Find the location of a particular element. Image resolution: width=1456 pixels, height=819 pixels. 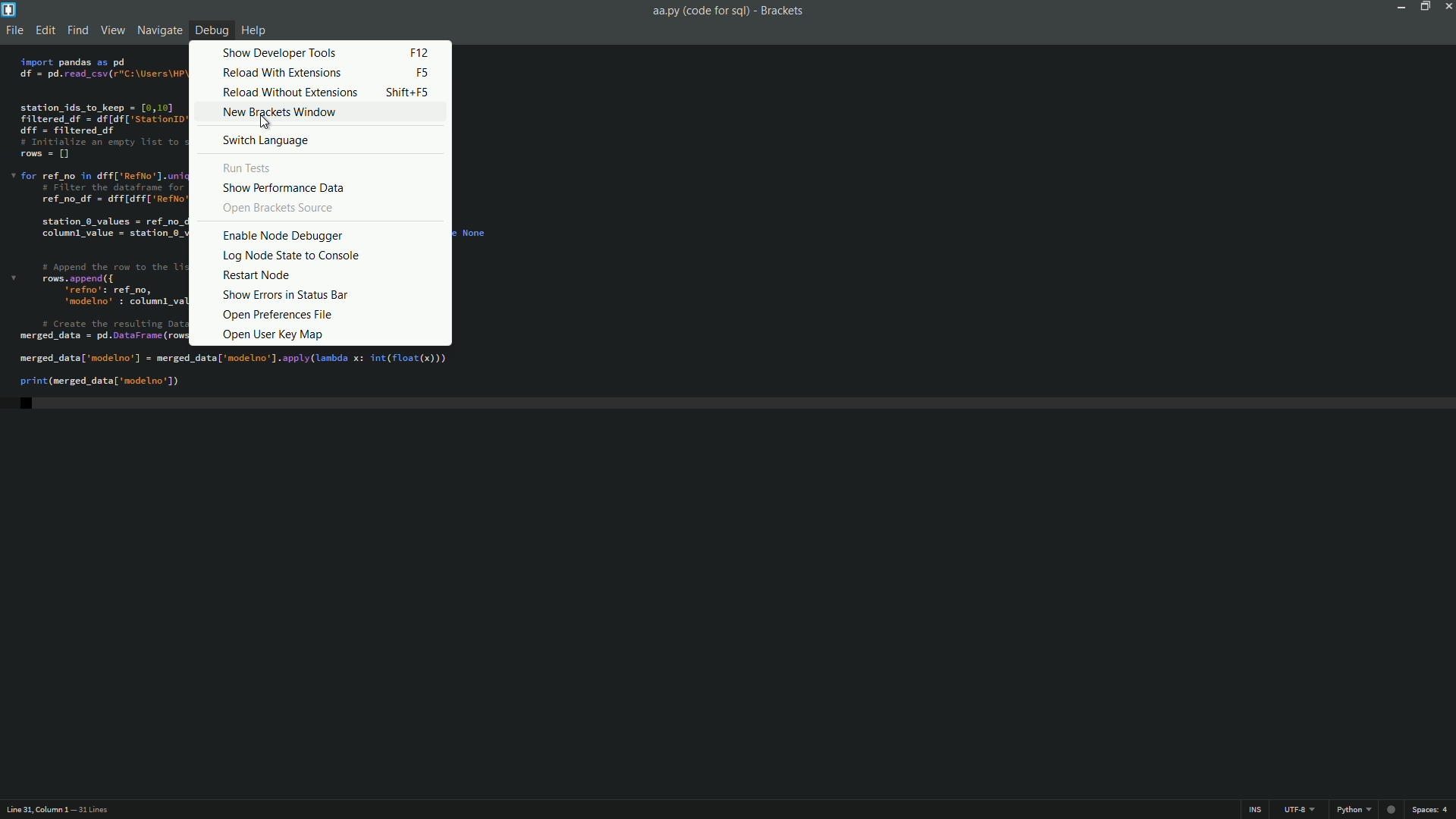

number of lines is located at coordinates (92, 811).